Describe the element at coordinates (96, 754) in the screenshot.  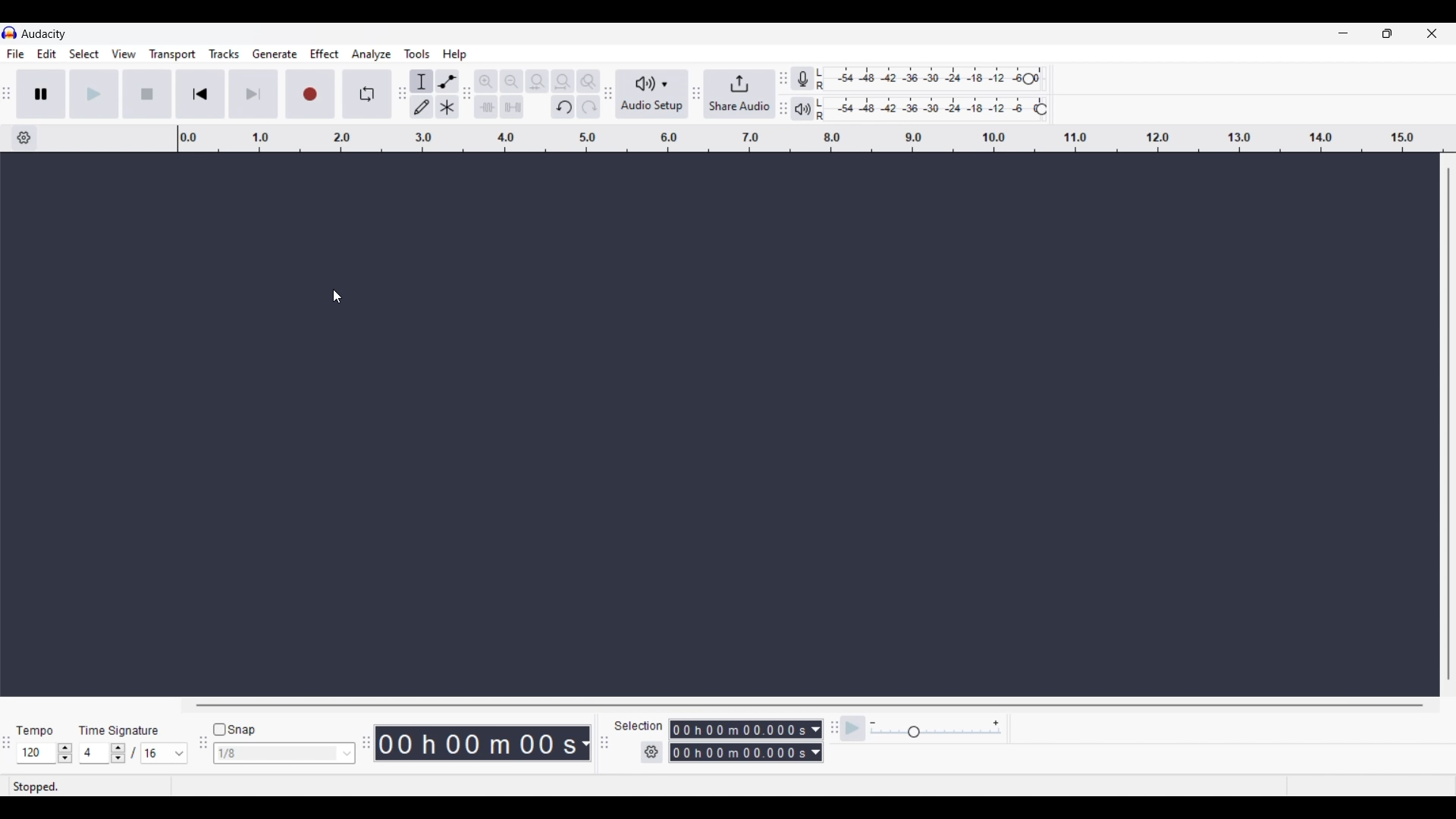
I see `Selected time signature` at that location.